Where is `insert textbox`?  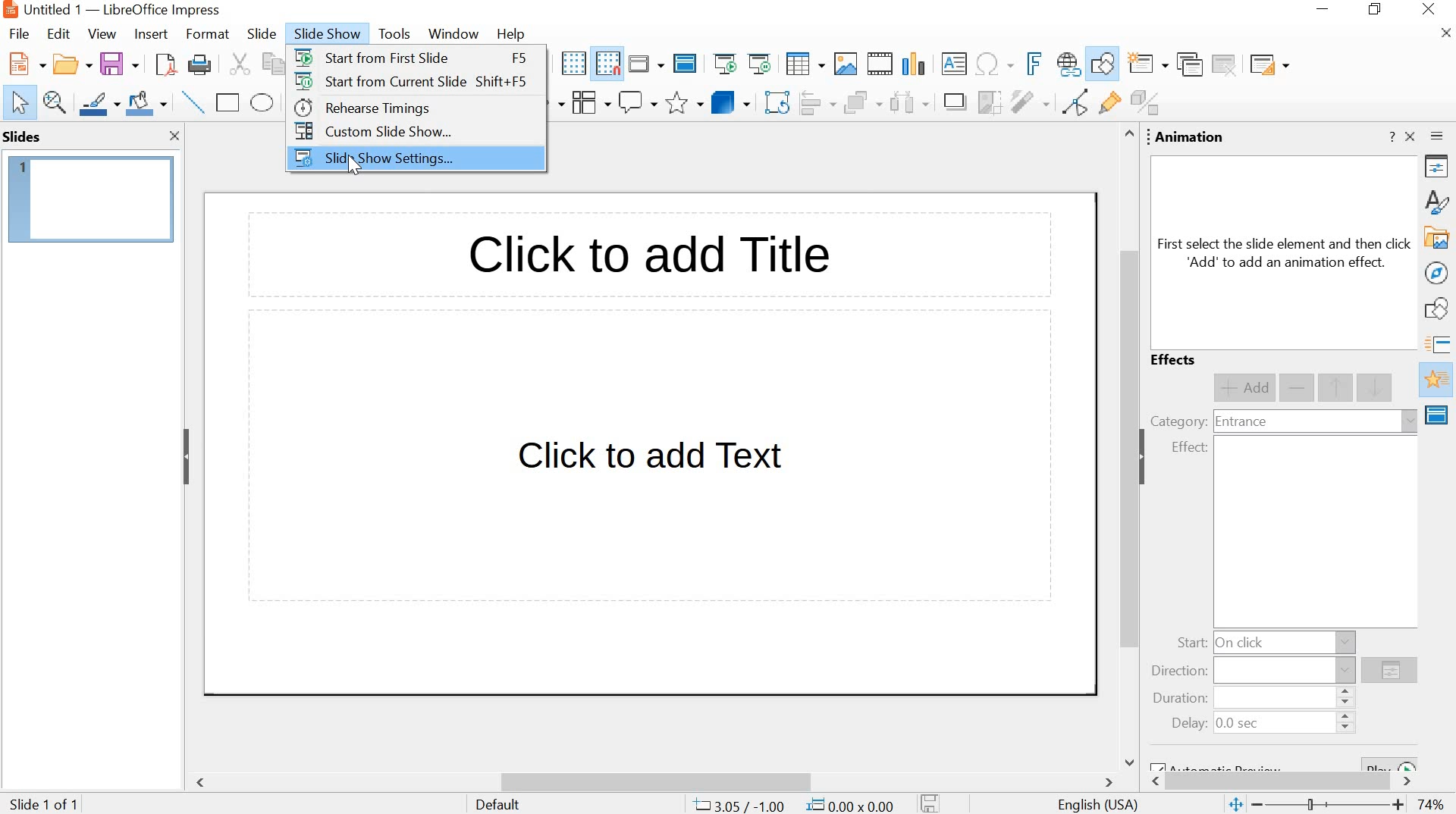
insert textbox is located at coordinates (955, 64).